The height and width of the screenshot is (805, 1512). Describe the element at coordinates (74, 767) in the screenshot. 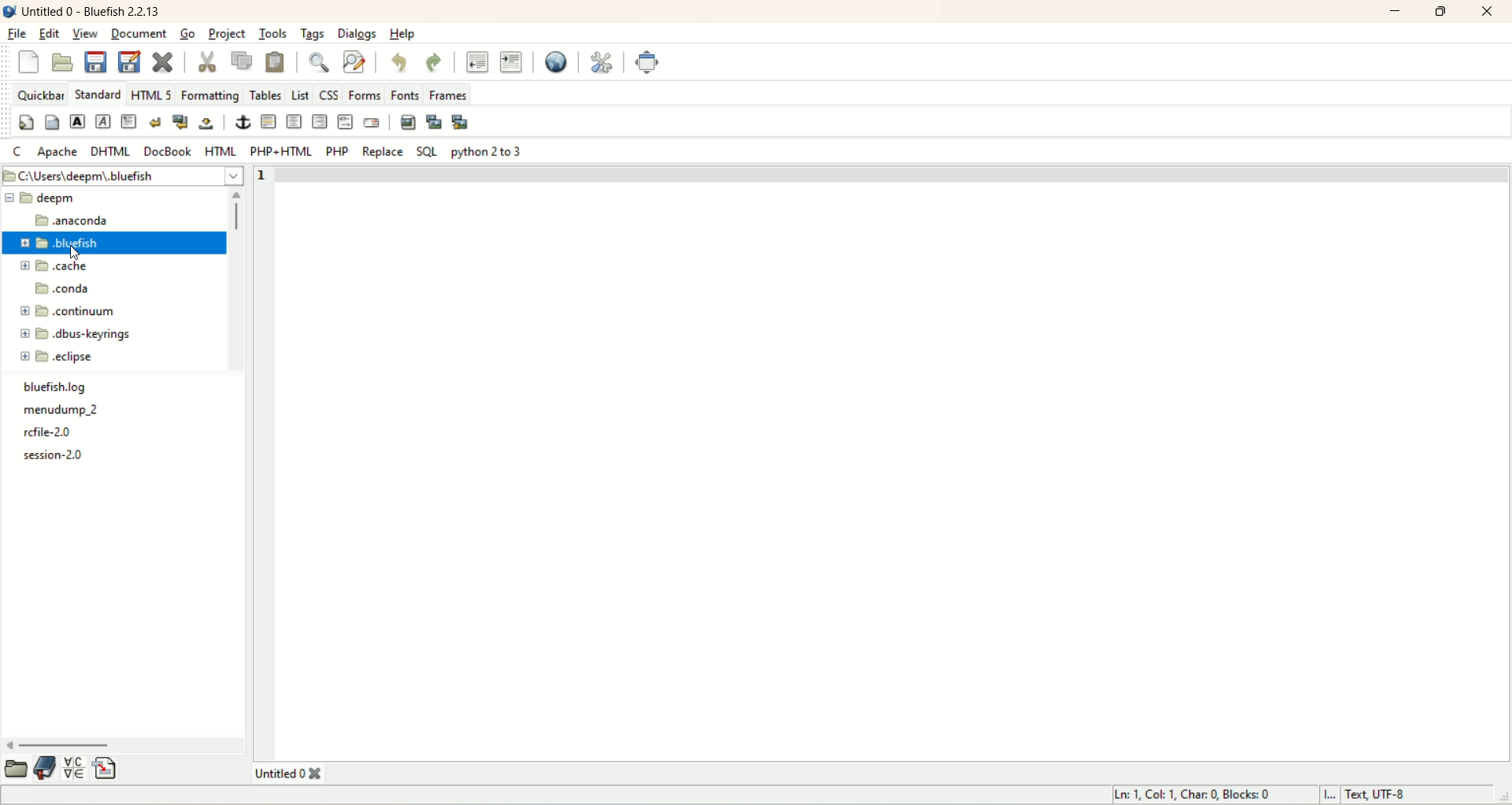

I see `insert special character` at that location.